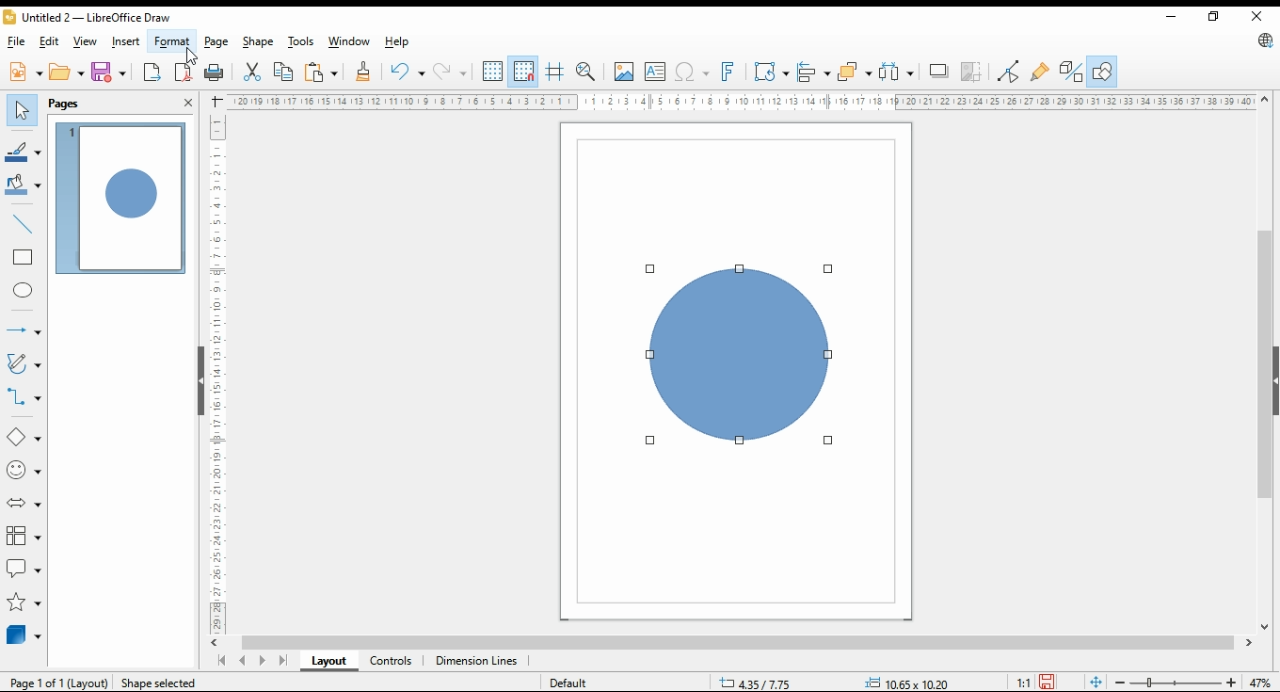 The height and width of the screenshot is (692, 1280). What do you see at coordinates (731, 72) in the screenshot?
I see `insert fontwork text` at bounding box center [731, 72].